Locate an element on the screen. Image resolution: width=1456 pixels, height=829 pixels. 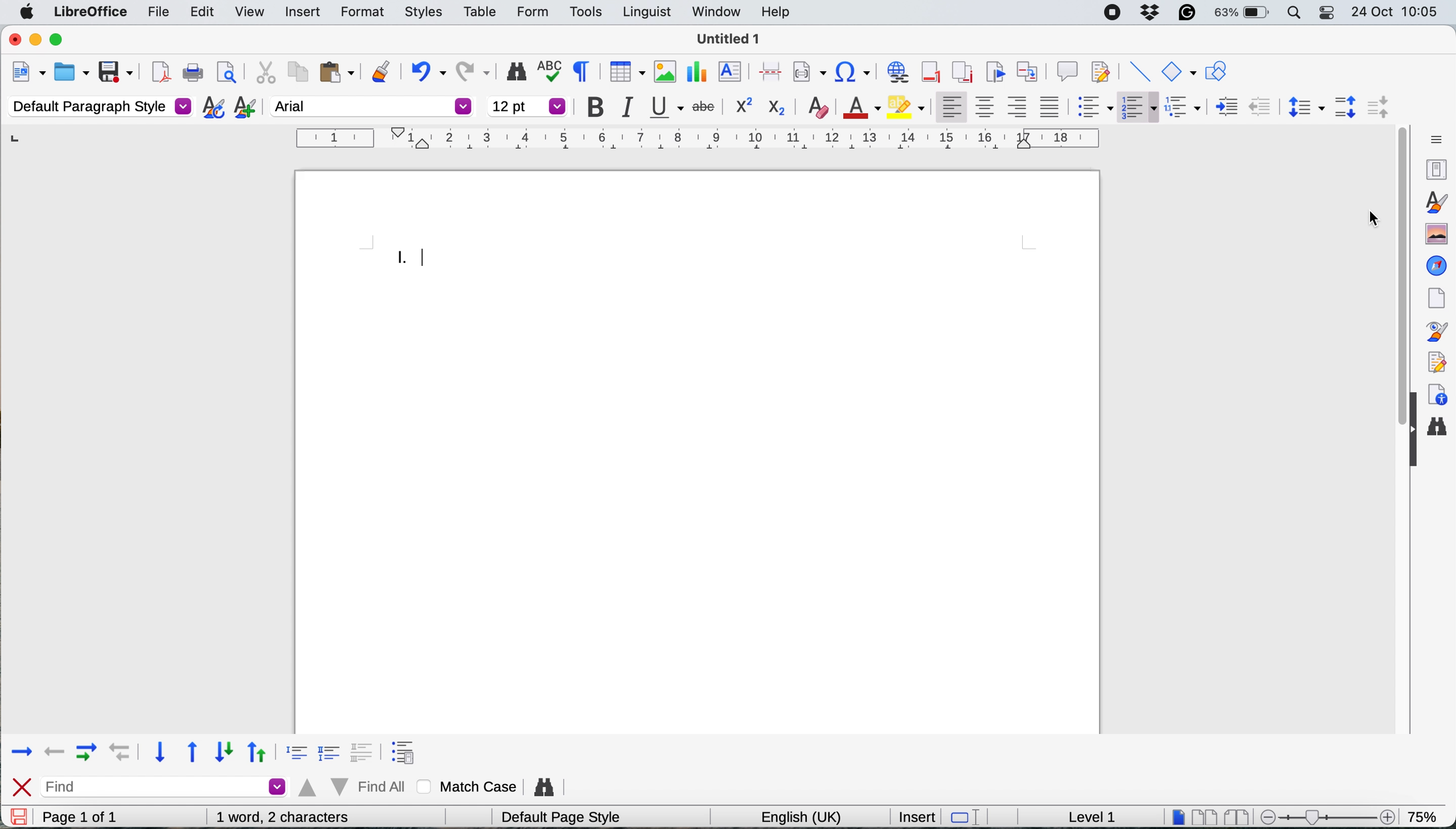
grammarly is located at coordinates (1185, 12).